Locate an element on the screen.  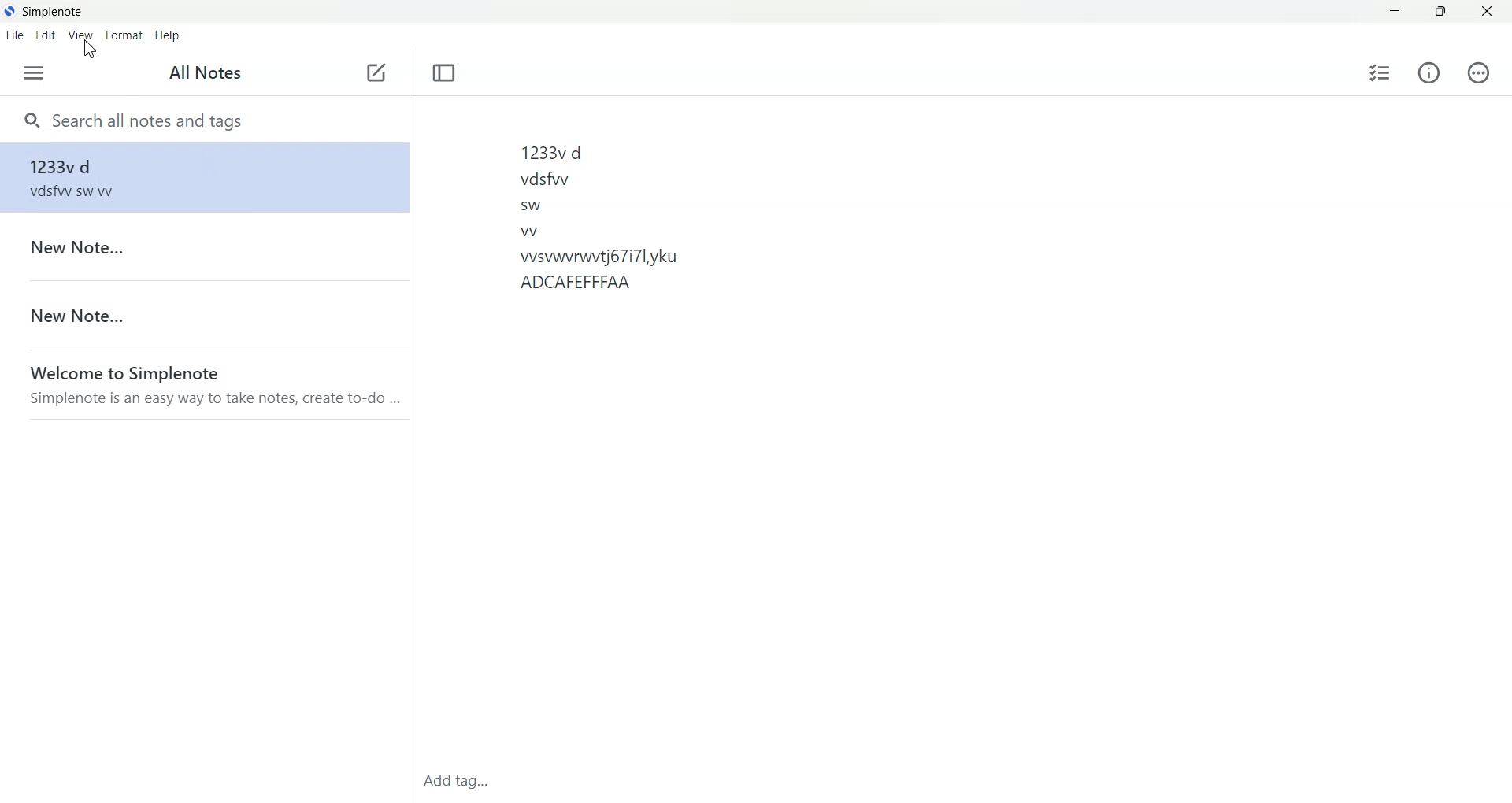
Info is located at coordinates (1429, 72).